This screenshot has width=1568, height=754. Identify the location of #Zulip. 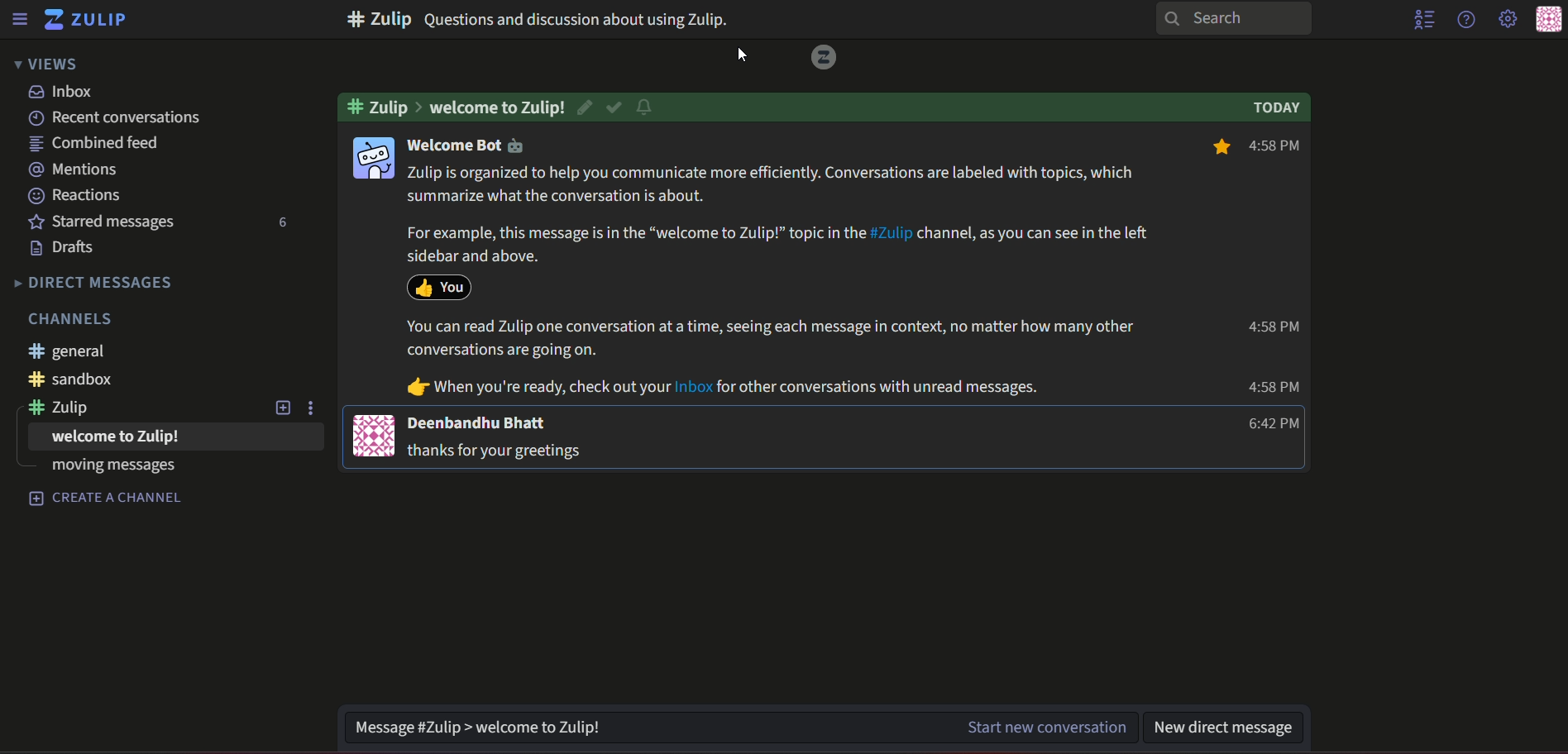
(385, 106).